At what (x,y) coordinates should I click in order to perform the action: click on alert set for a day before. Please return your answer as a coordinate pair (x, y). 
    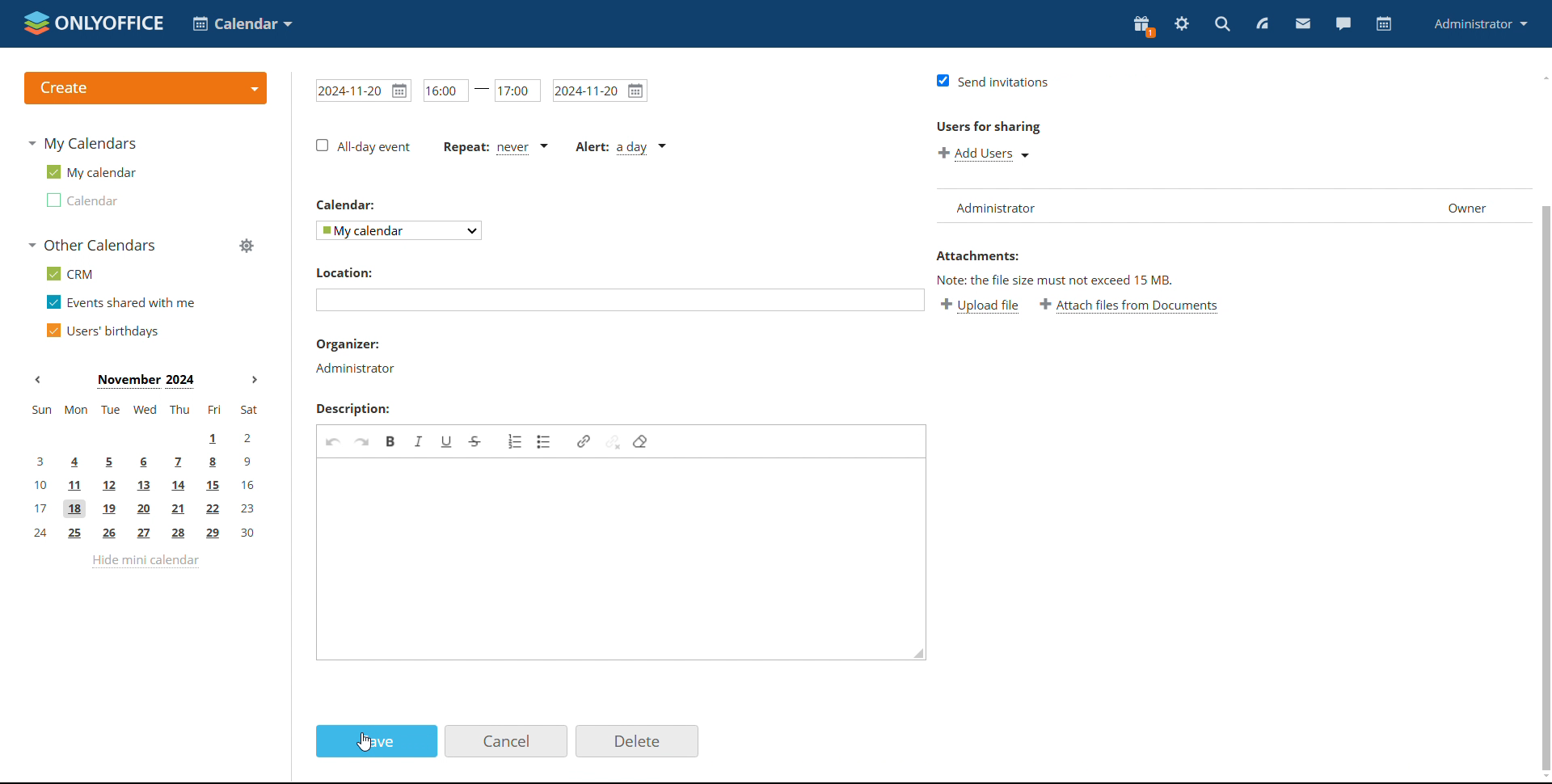
    Looking at the image, I should click on (621, 148).